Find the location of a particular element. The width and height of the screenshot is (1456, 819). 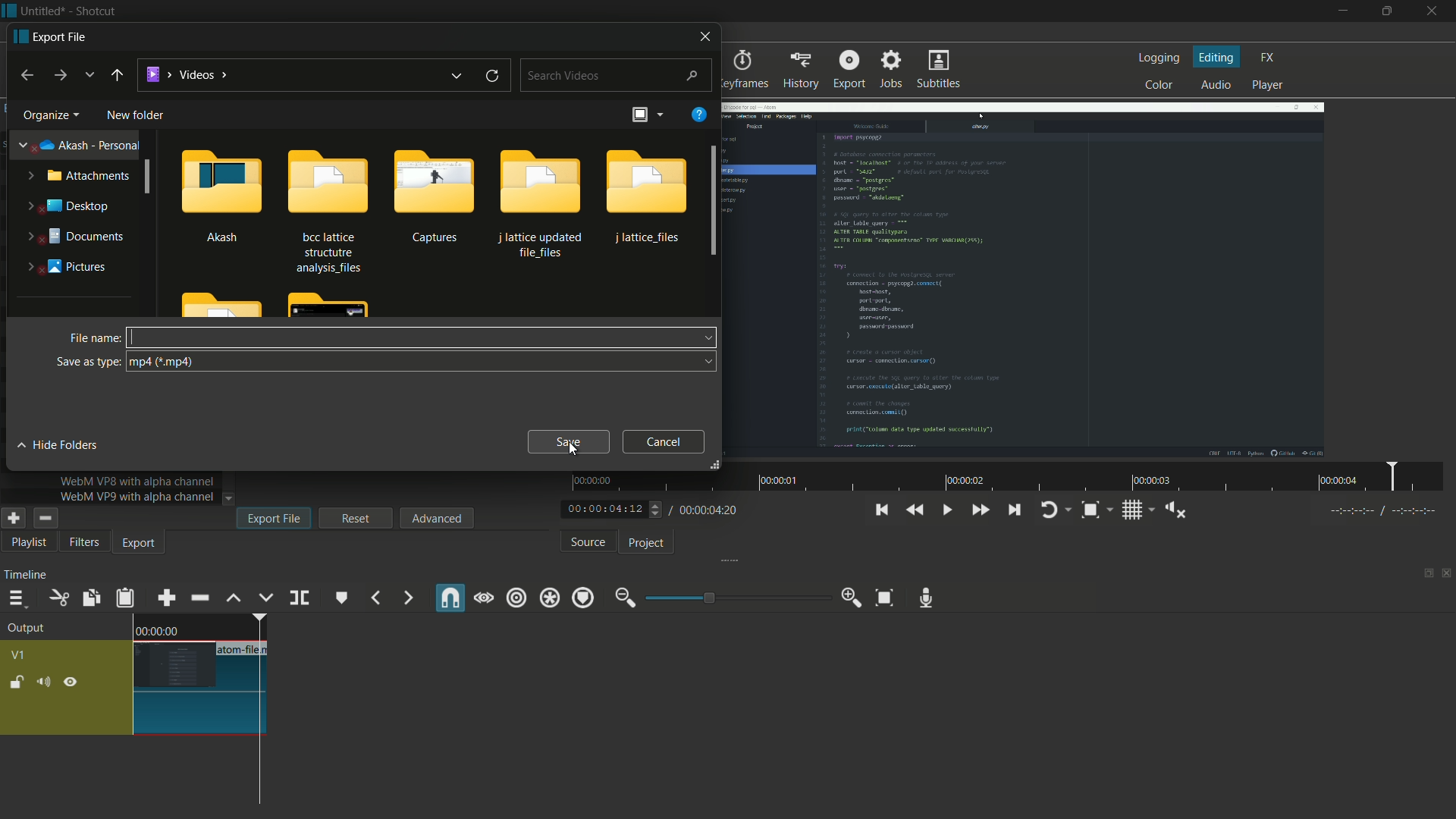

quickly play backward is located at coordinates (916, 508).